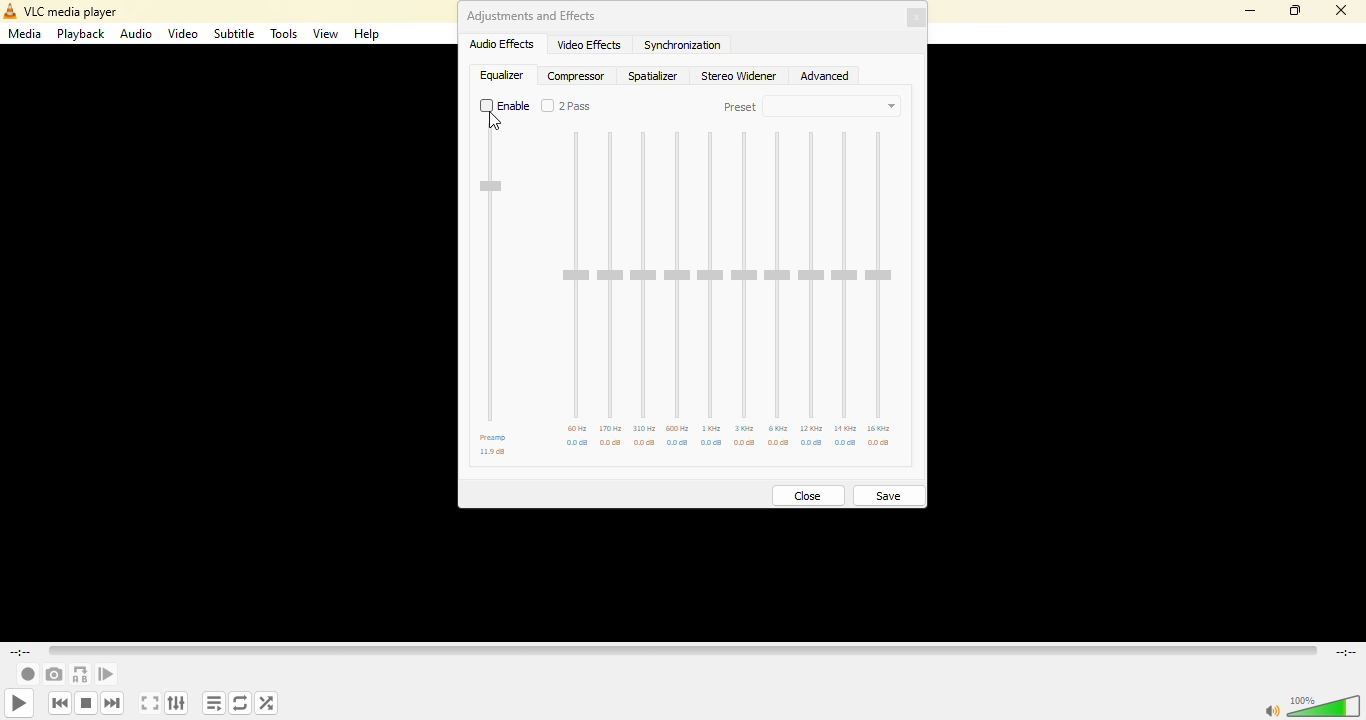  I want to click on adjustments and effects, so click(532, 16).